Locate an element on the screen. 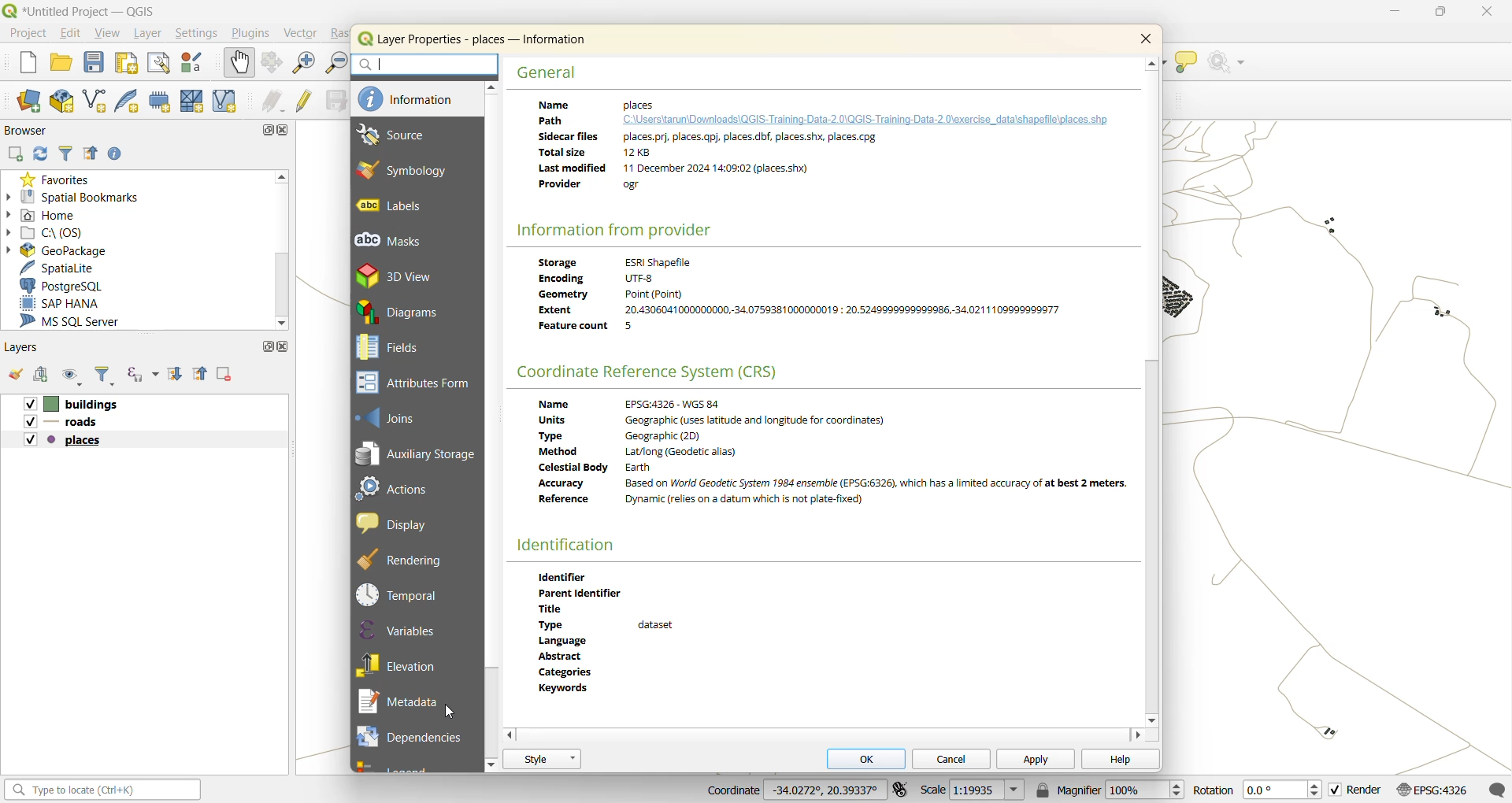  elevation is located at coordinates (406, 667).